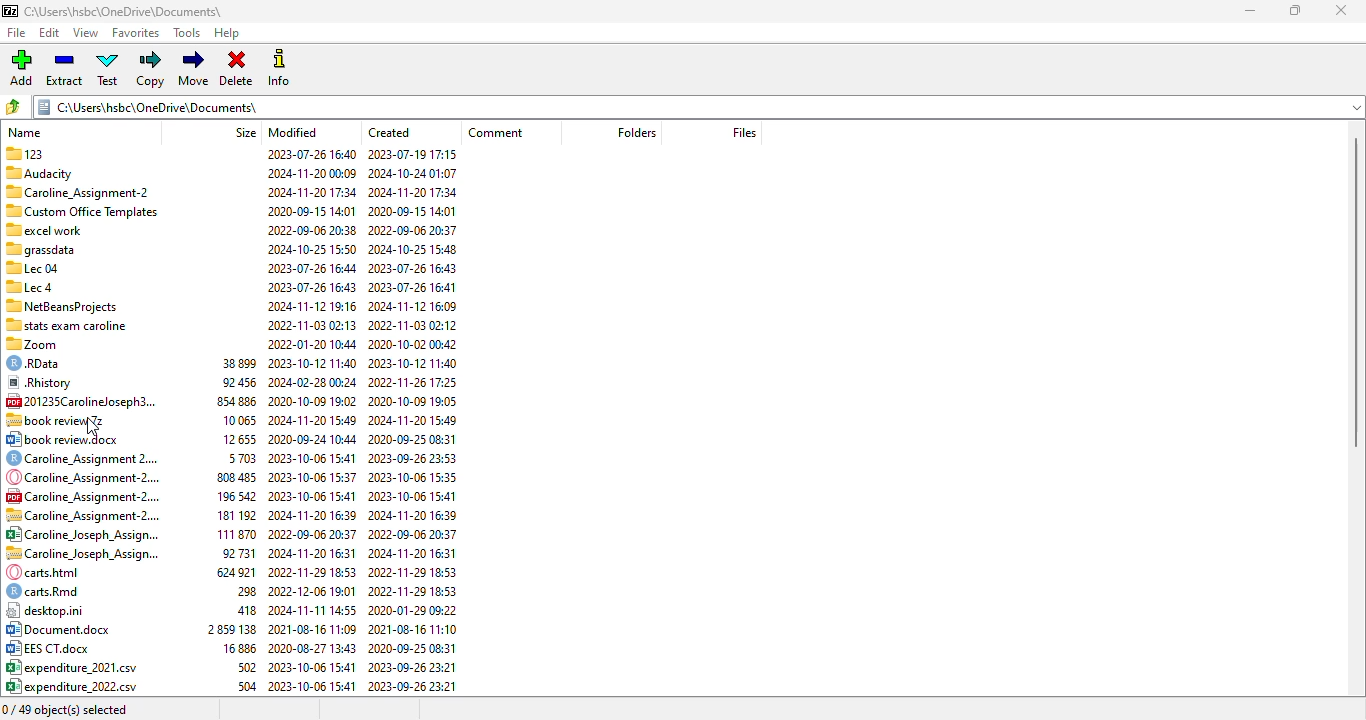  I want to click on  excel work, so click(45, 228).